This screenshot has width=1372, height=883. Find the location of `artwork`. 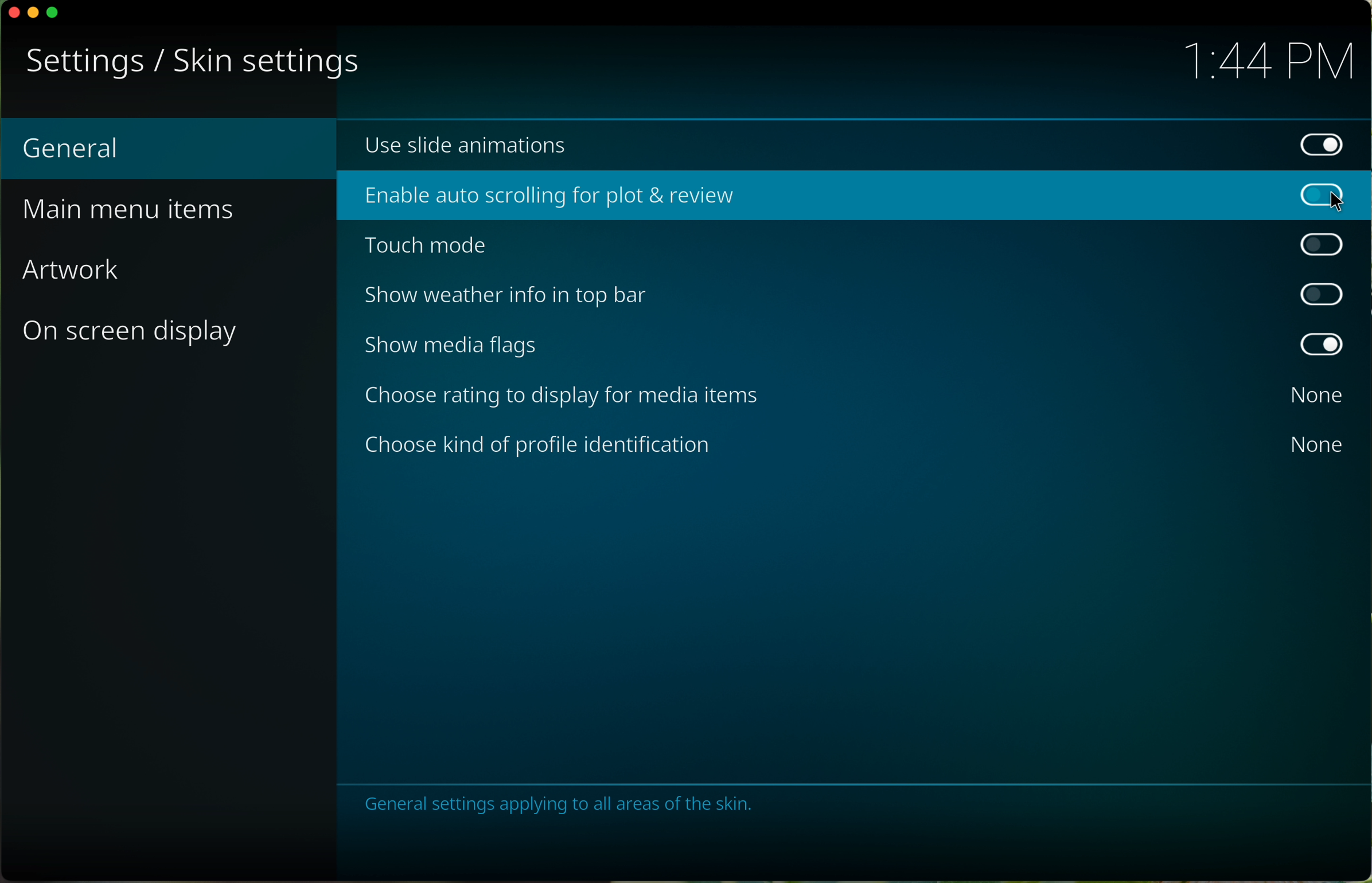

artwork is located at coordinates (75, 272).